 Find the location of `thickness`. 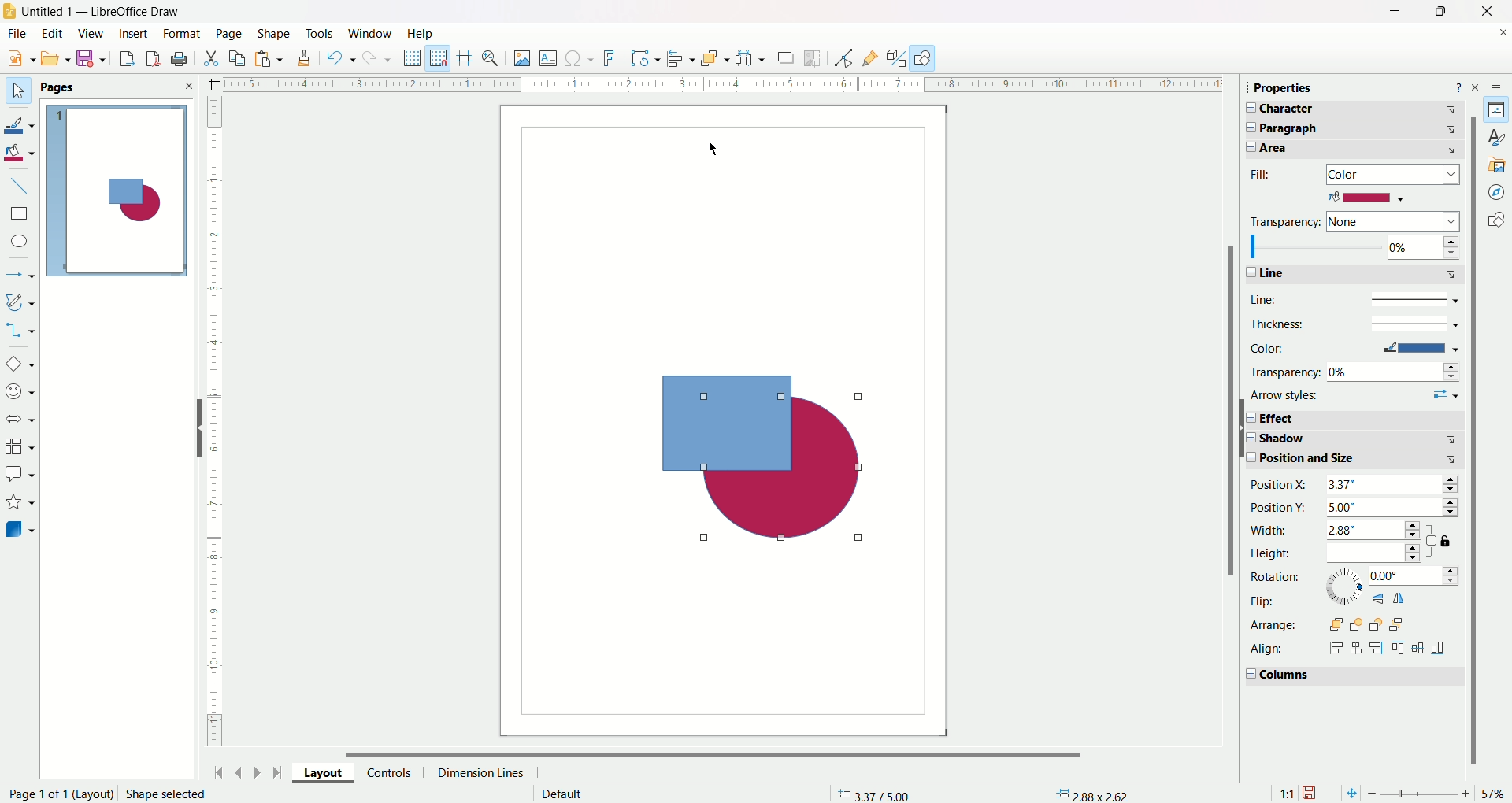

thickness is located at coordinates (1352, 324).